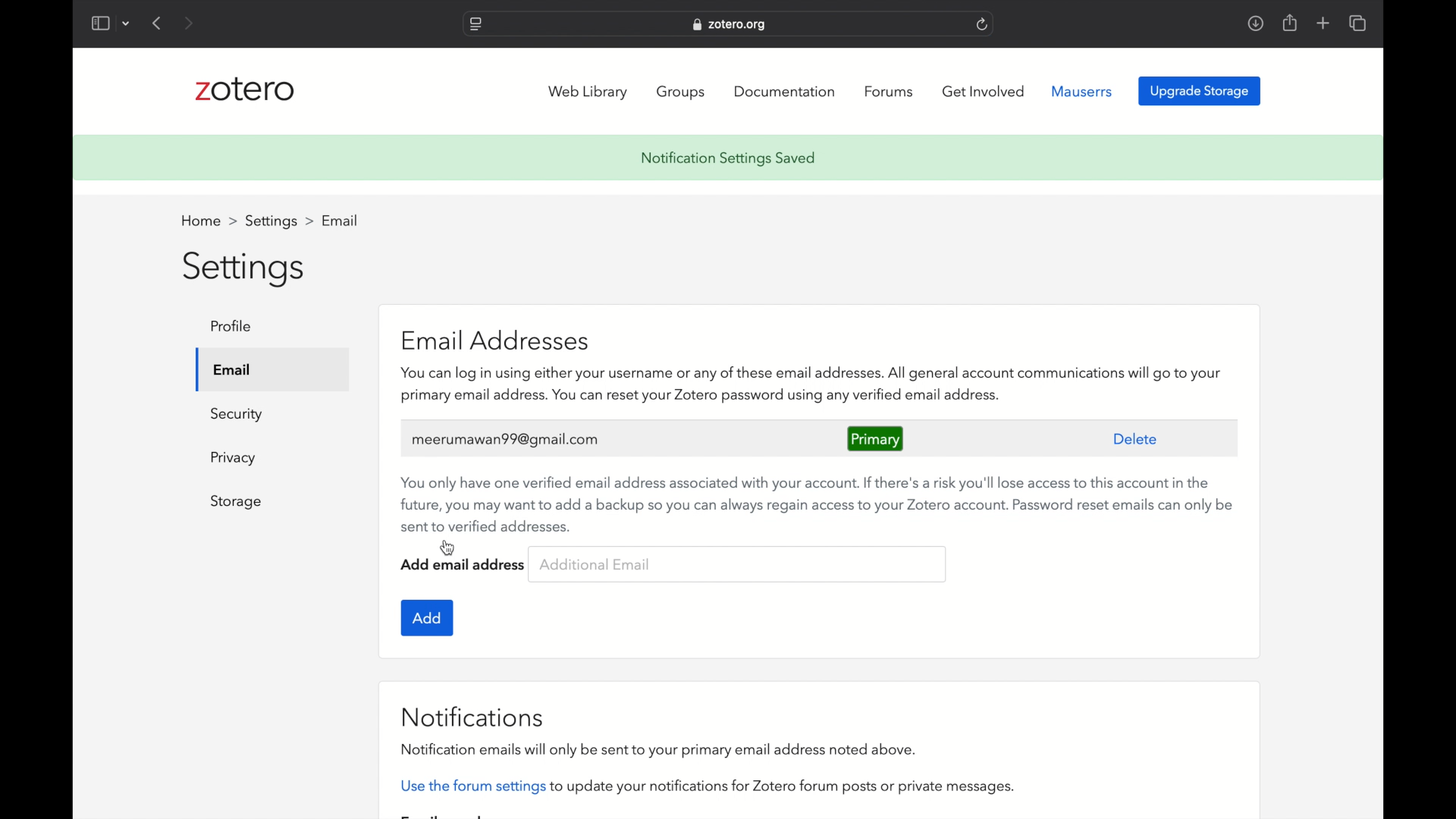  I want to click on web library, so click(590, 93).